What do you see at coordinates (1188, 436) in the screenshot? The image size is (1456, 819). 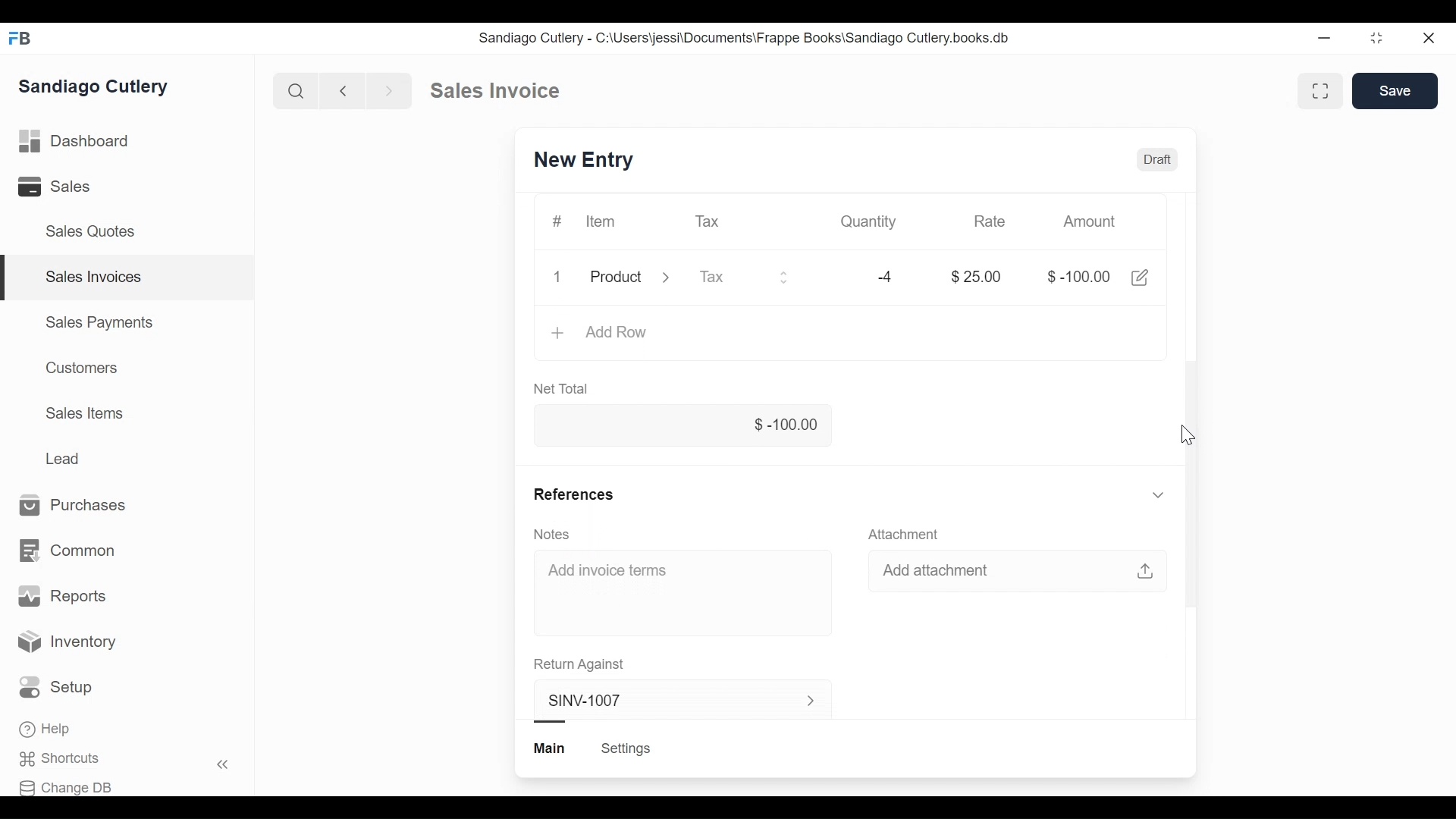 I see `Cursor` at bounding box center [1188, 436].